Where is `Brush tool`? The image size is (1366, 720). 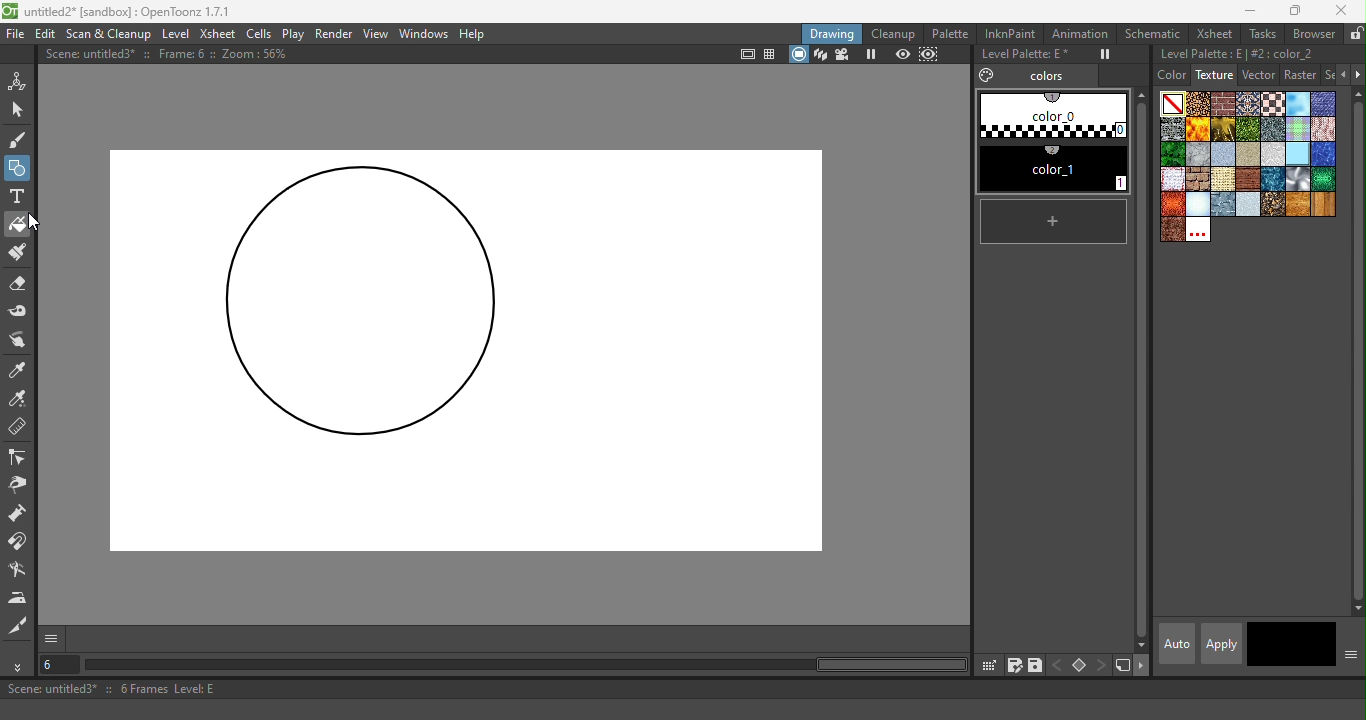
Brush tool is located at coordinates (19, 140).